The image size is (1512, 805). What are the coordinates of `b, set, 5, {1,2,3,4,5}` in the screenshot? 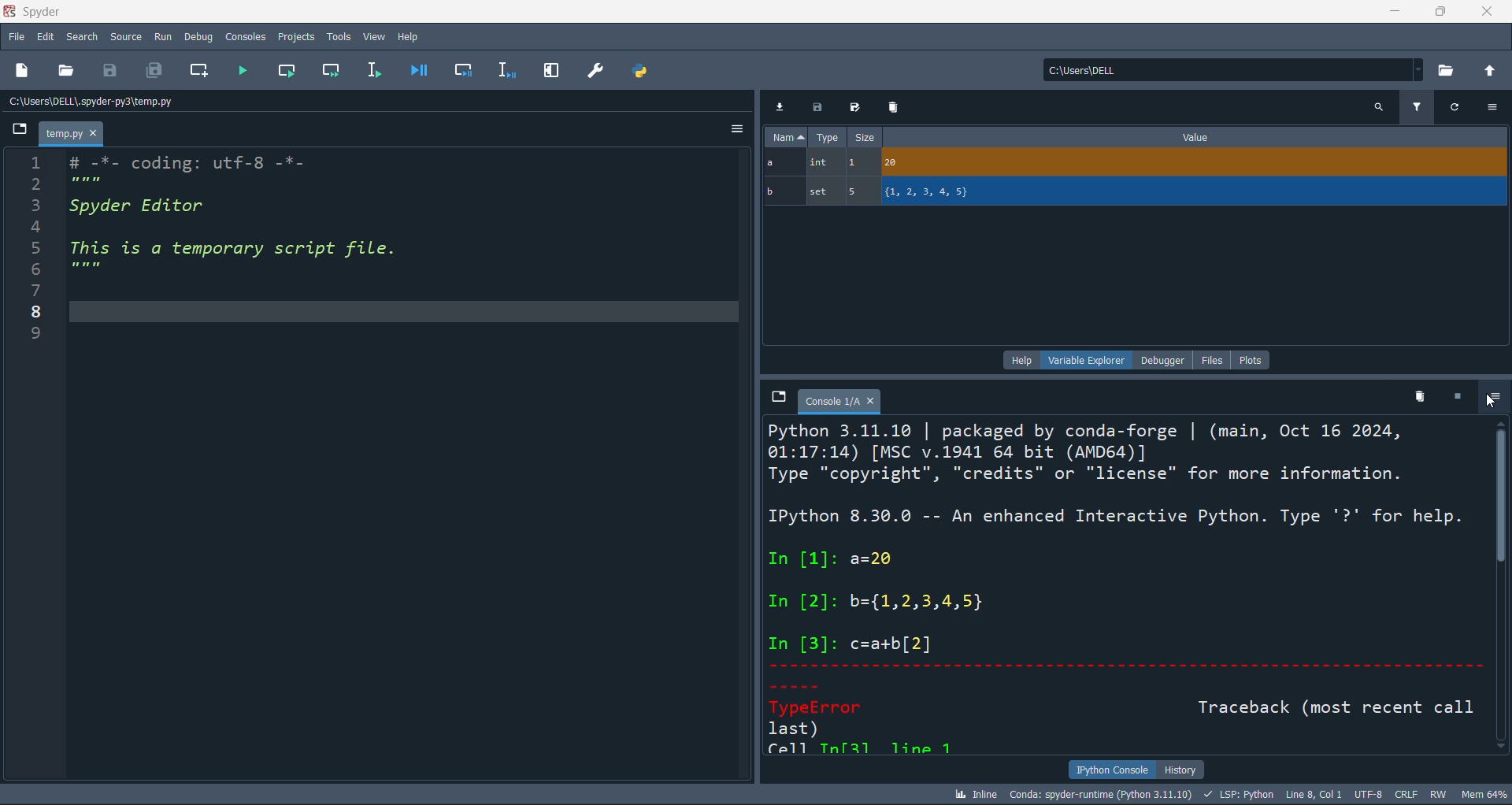 It's located at (1136, 193).